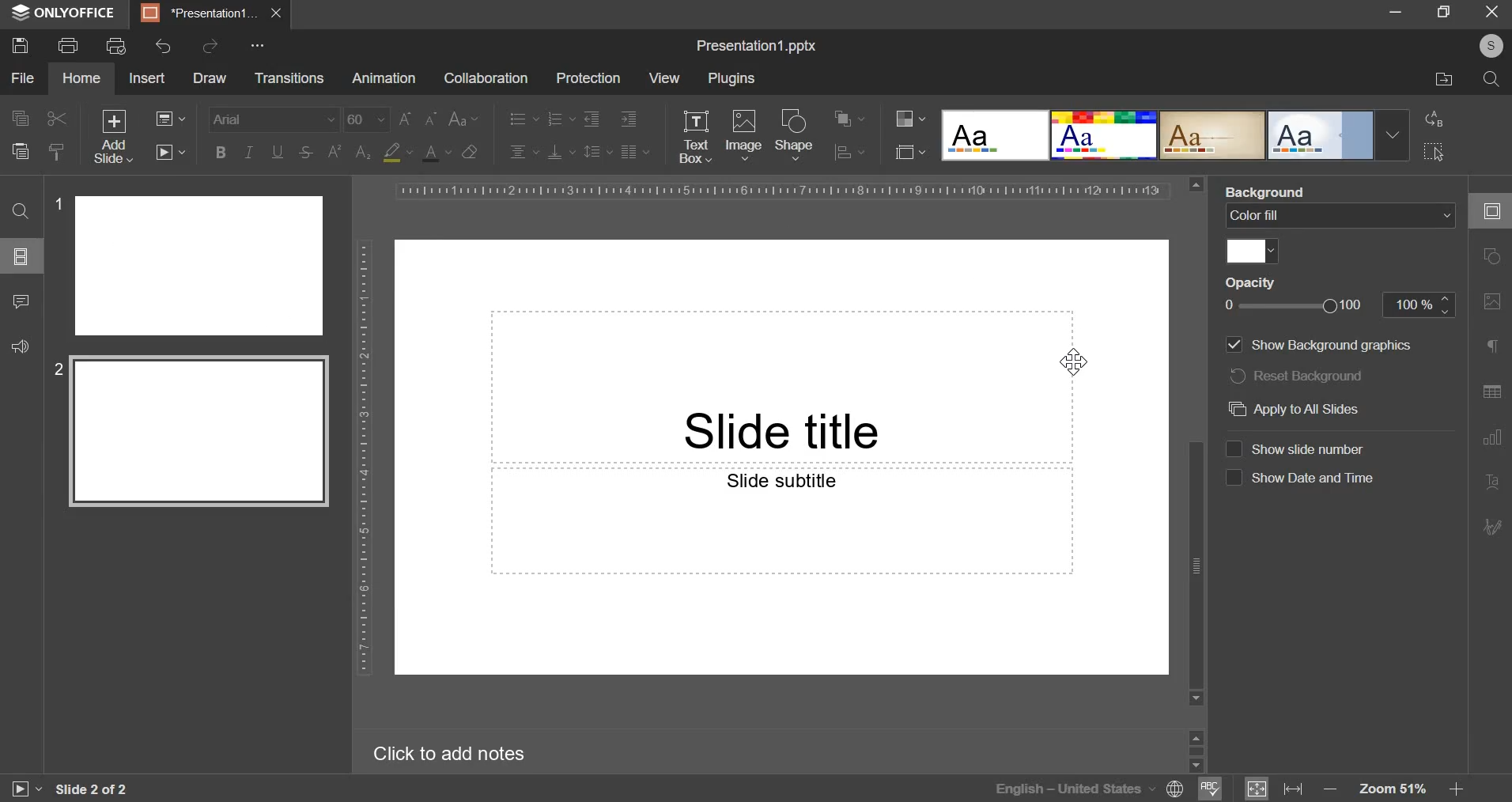 Image resolution: width=1512 pixels, height=802 pixels. I want to click on redo, so click(209, 45).